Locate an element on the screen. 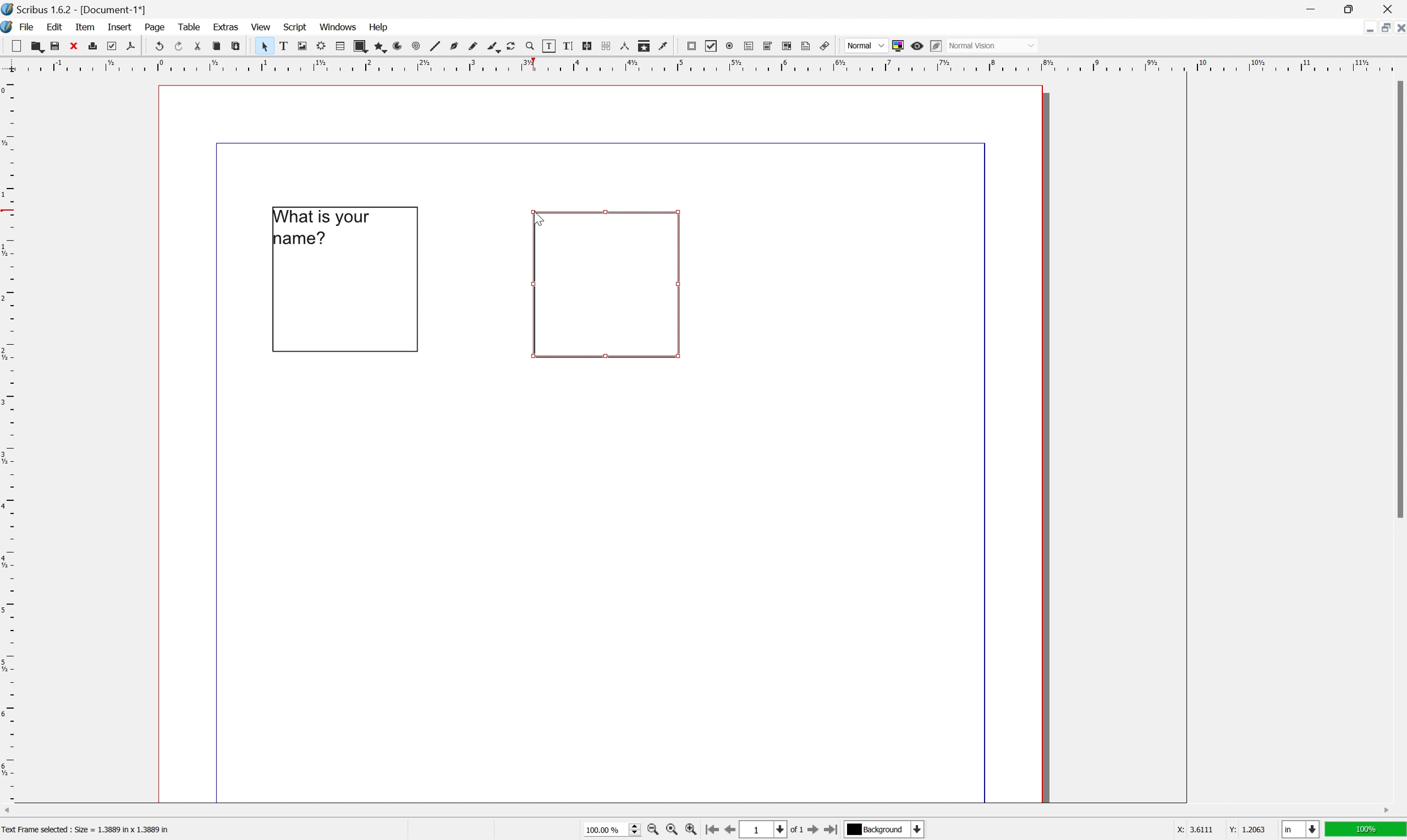 This screenshot has width=1407, height=840. new is located at coordinates (17, 45).